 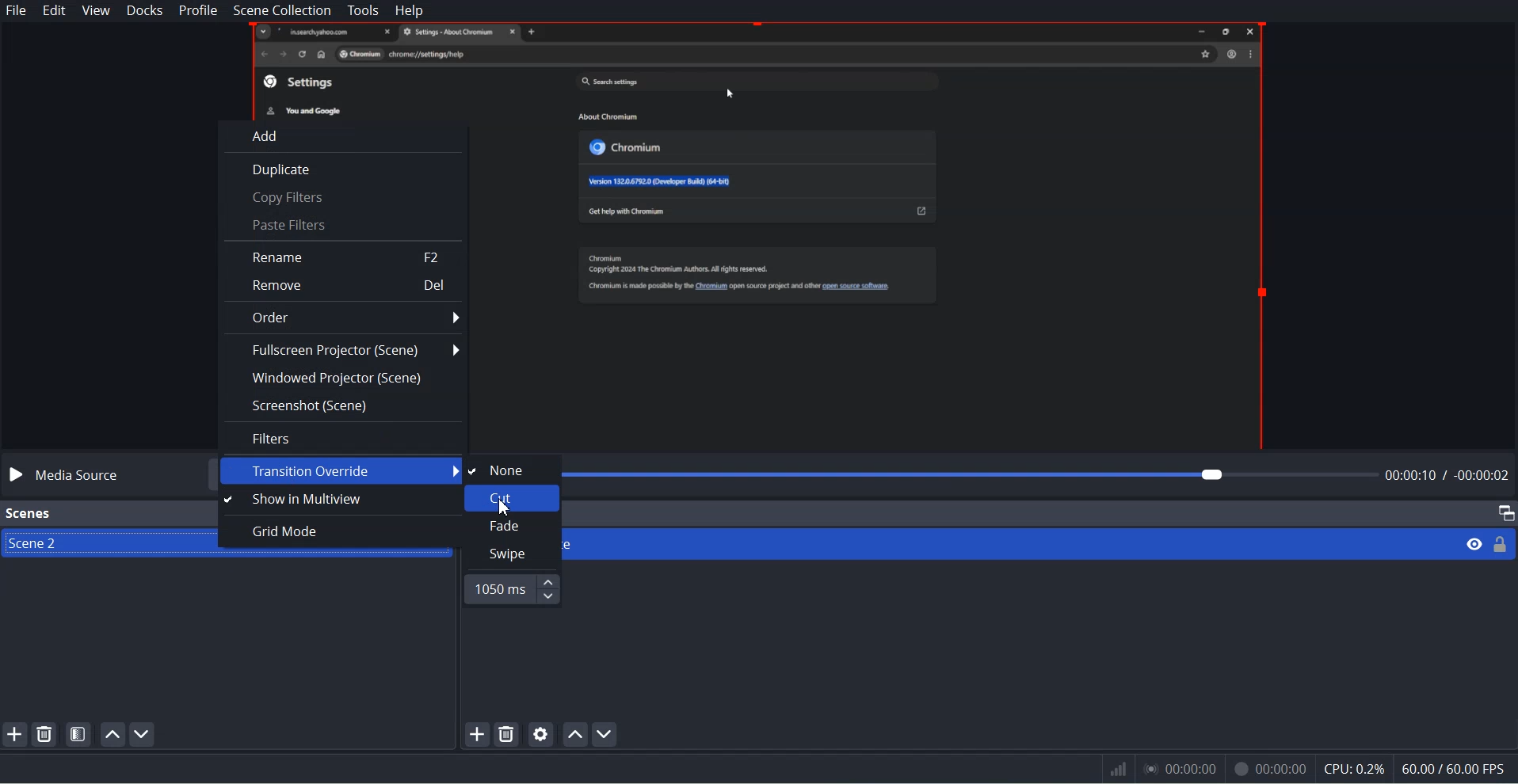 I want to click on Screenshot, so click(x=343, y=405).